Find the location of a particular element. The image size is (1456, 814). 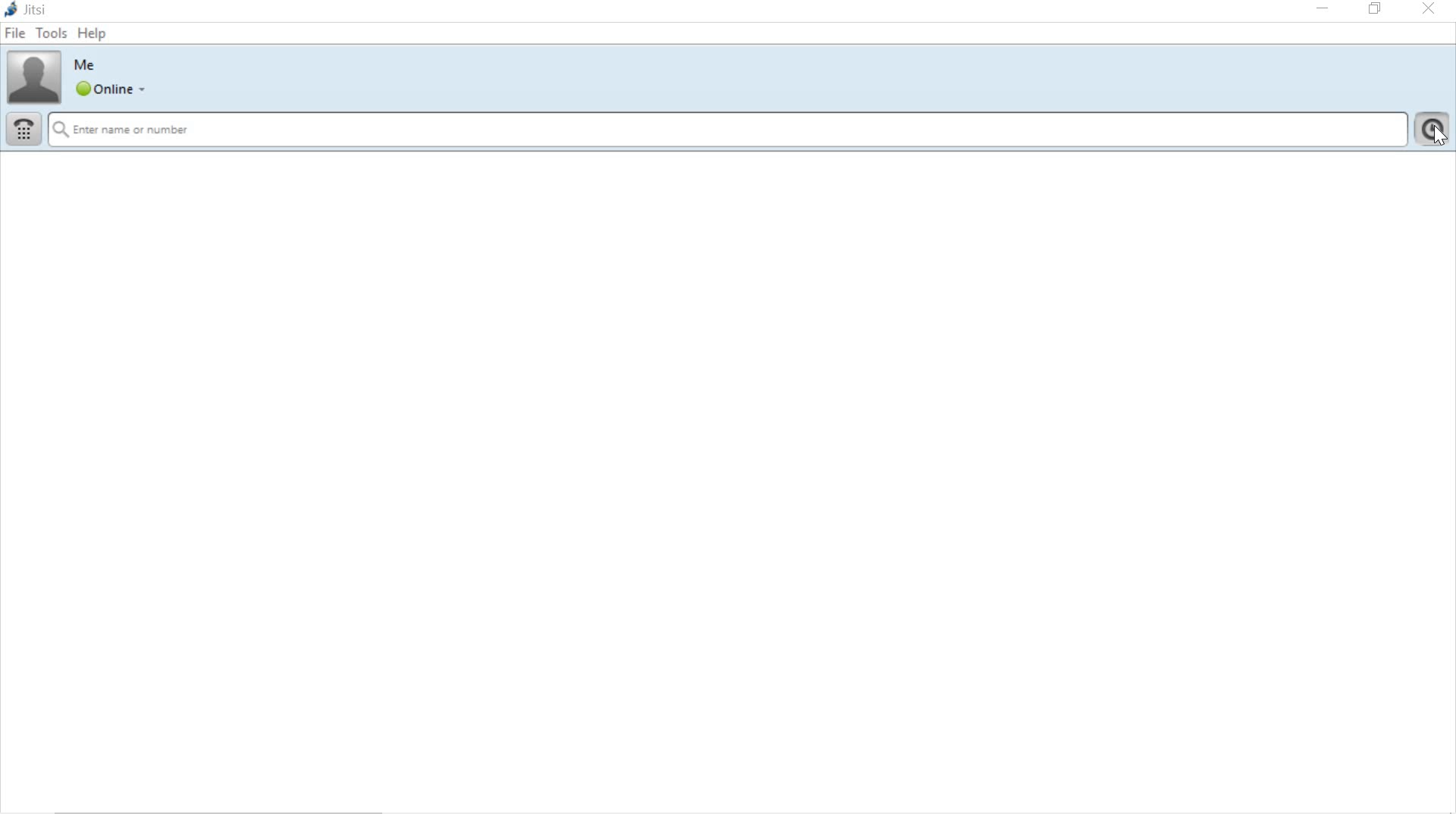

tools is located at coordinates (52, 31).